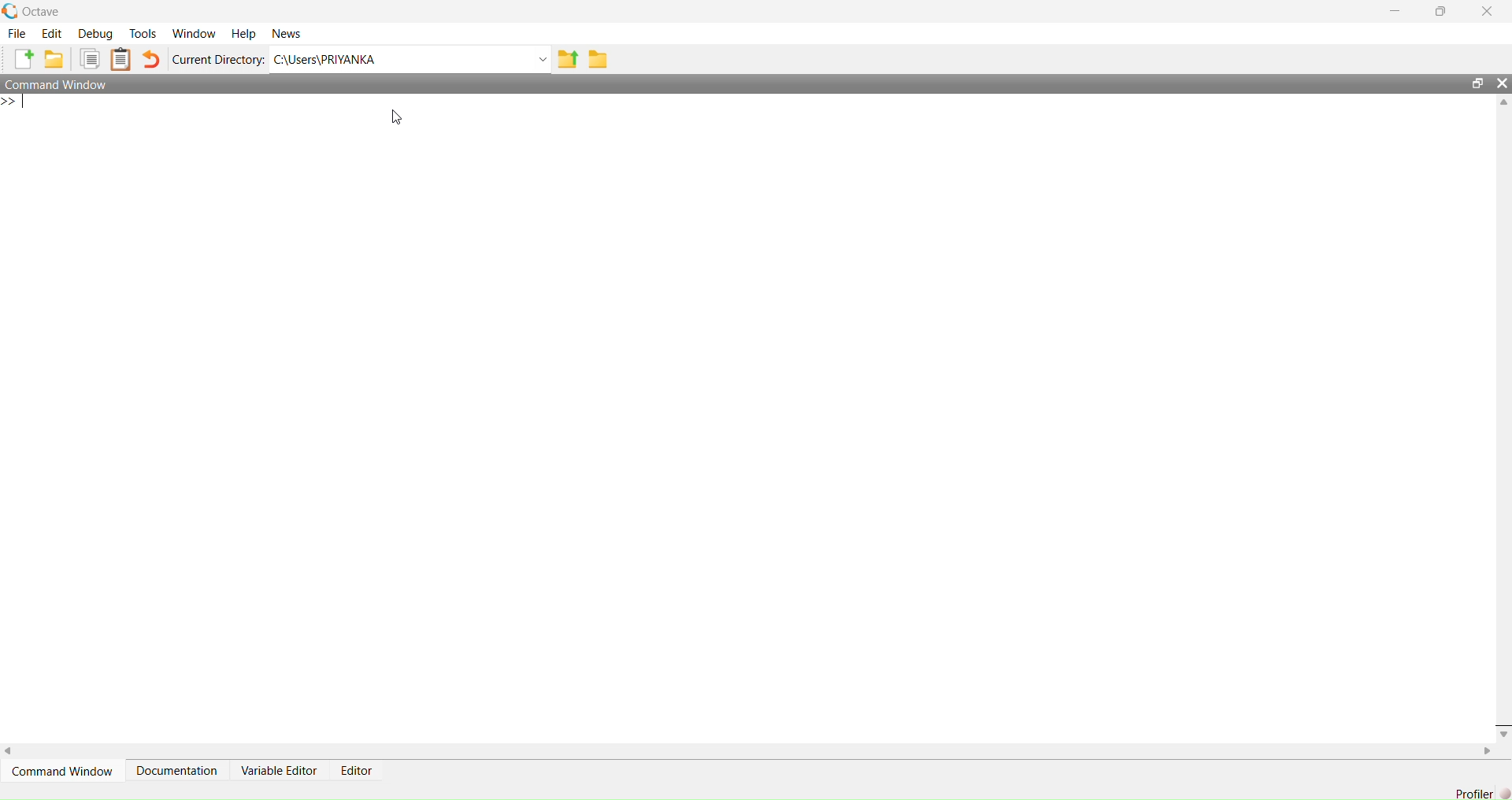 The height and width of the screenshot is (800, 1512). I want to click on Minimize, so click(1398, 13).